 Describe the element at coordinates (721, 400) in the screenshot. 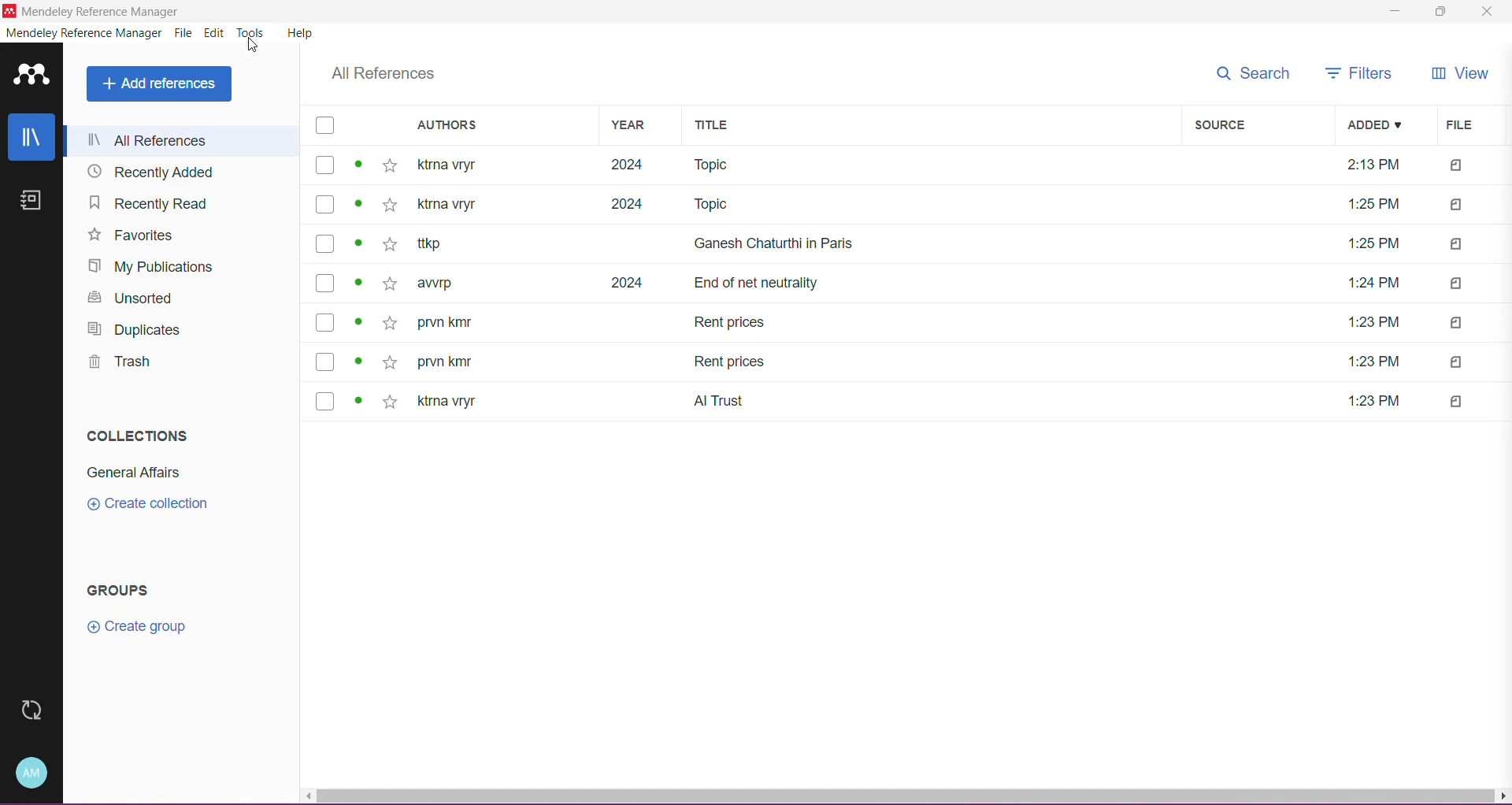

I see `title` at that location.